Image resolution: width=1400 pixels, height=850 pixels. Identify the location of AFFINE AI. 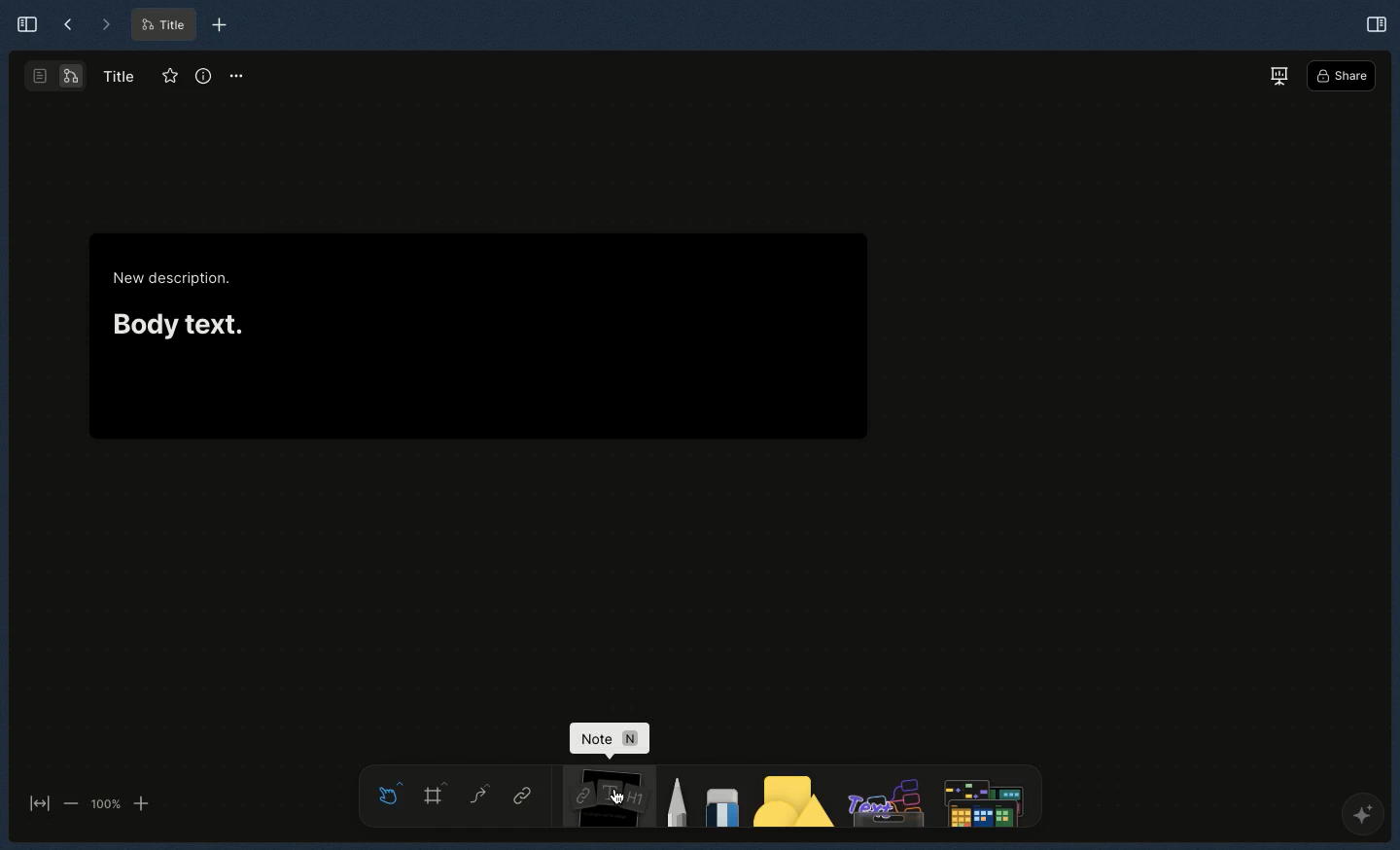
(1359, 818).